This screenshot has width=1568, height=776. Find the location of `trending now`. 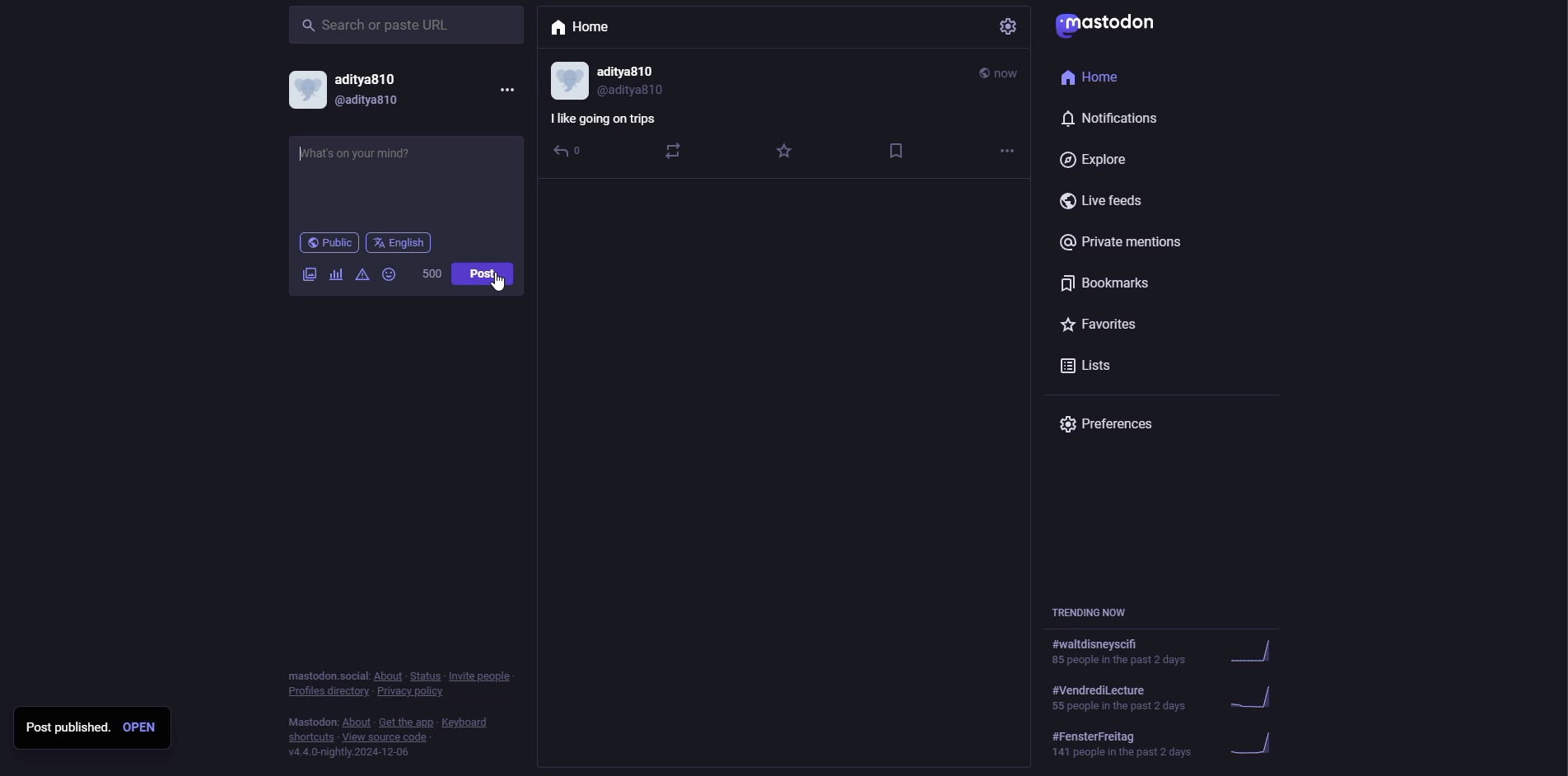

trending now is located at coordinates (1174, 652).